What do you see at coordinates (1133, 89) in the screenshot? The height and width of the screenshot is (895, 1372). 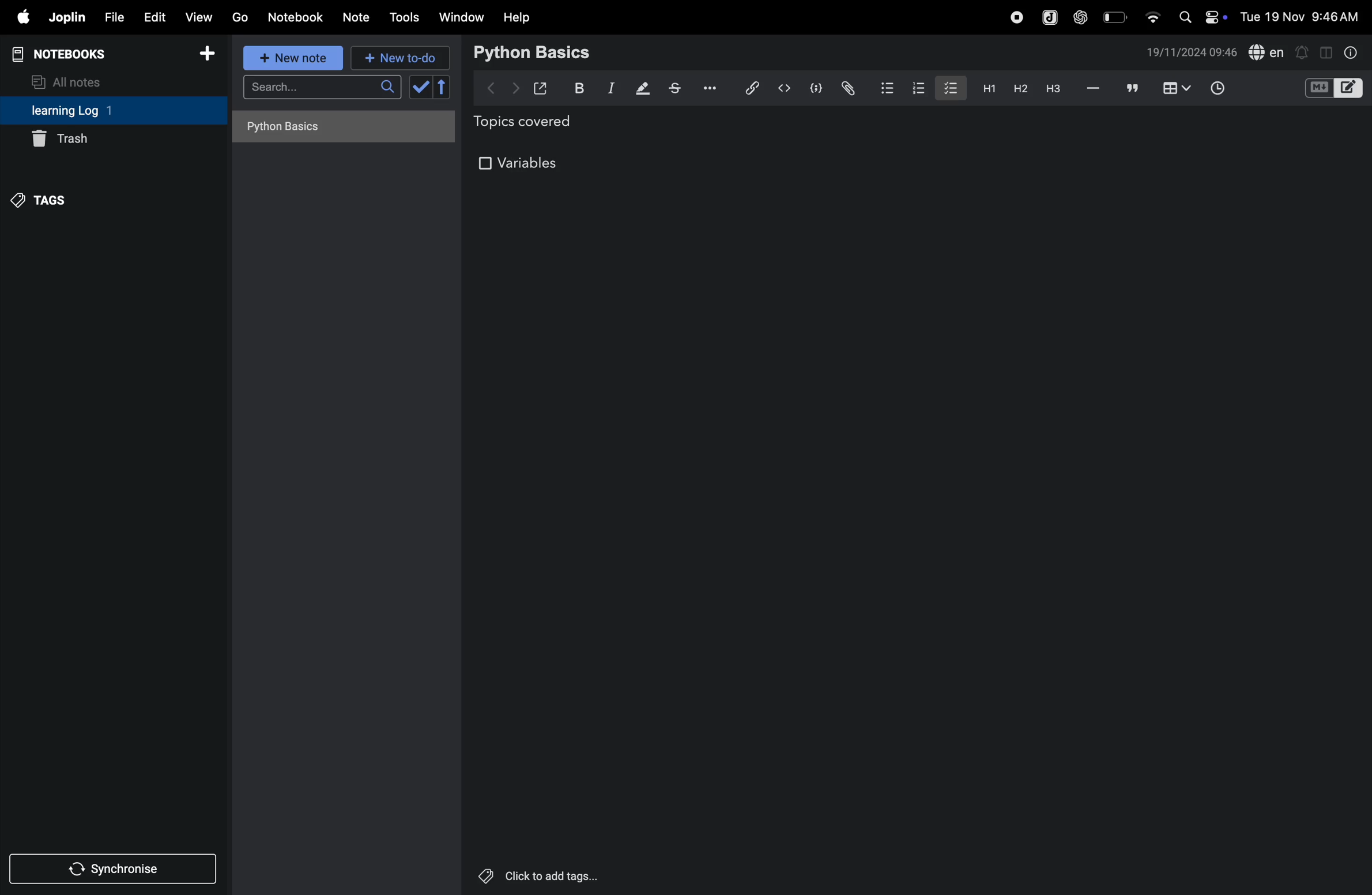 I see `comment` at bounding box center [1133, 89].